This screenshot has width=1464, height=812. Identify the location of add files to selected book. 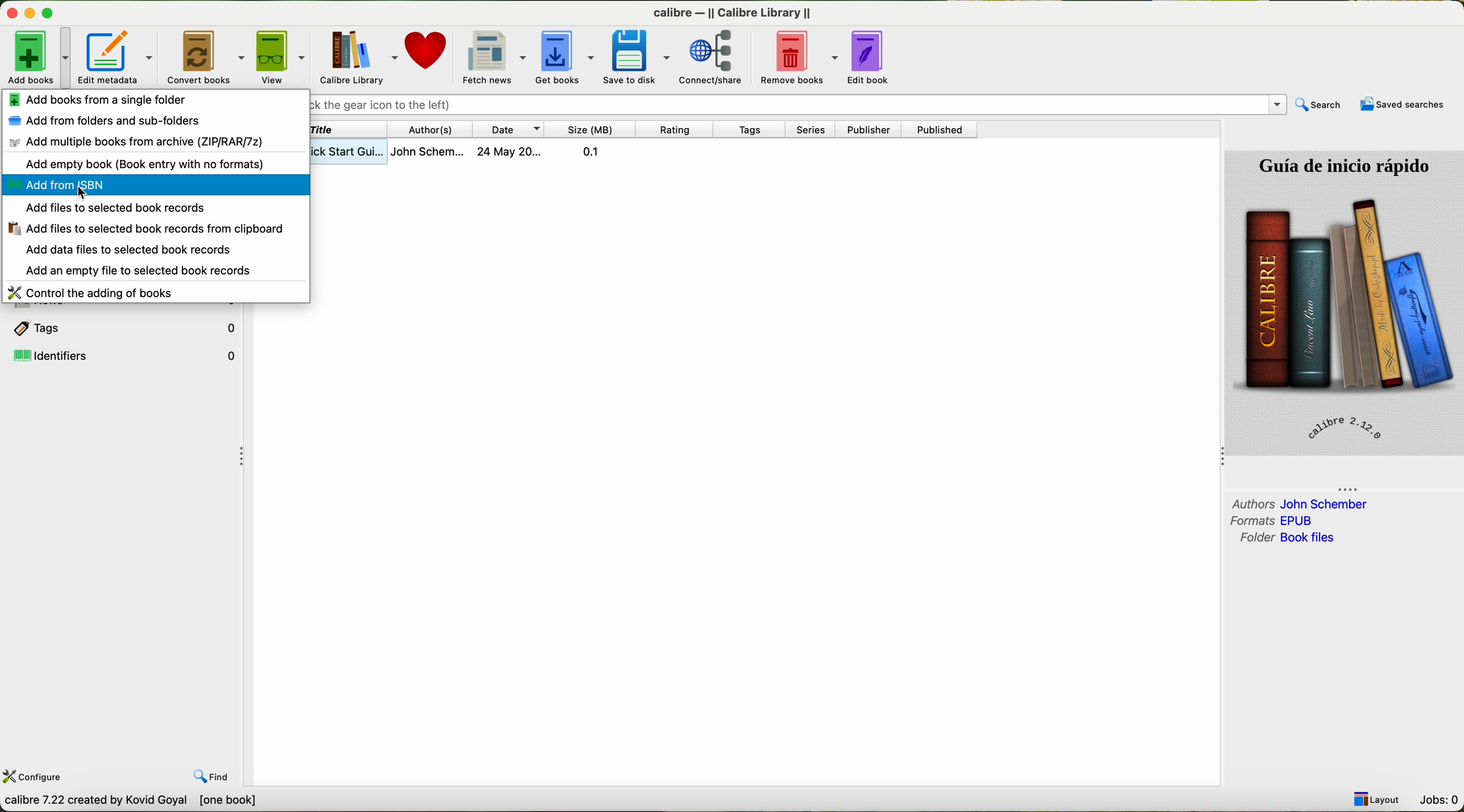
(115, 210).